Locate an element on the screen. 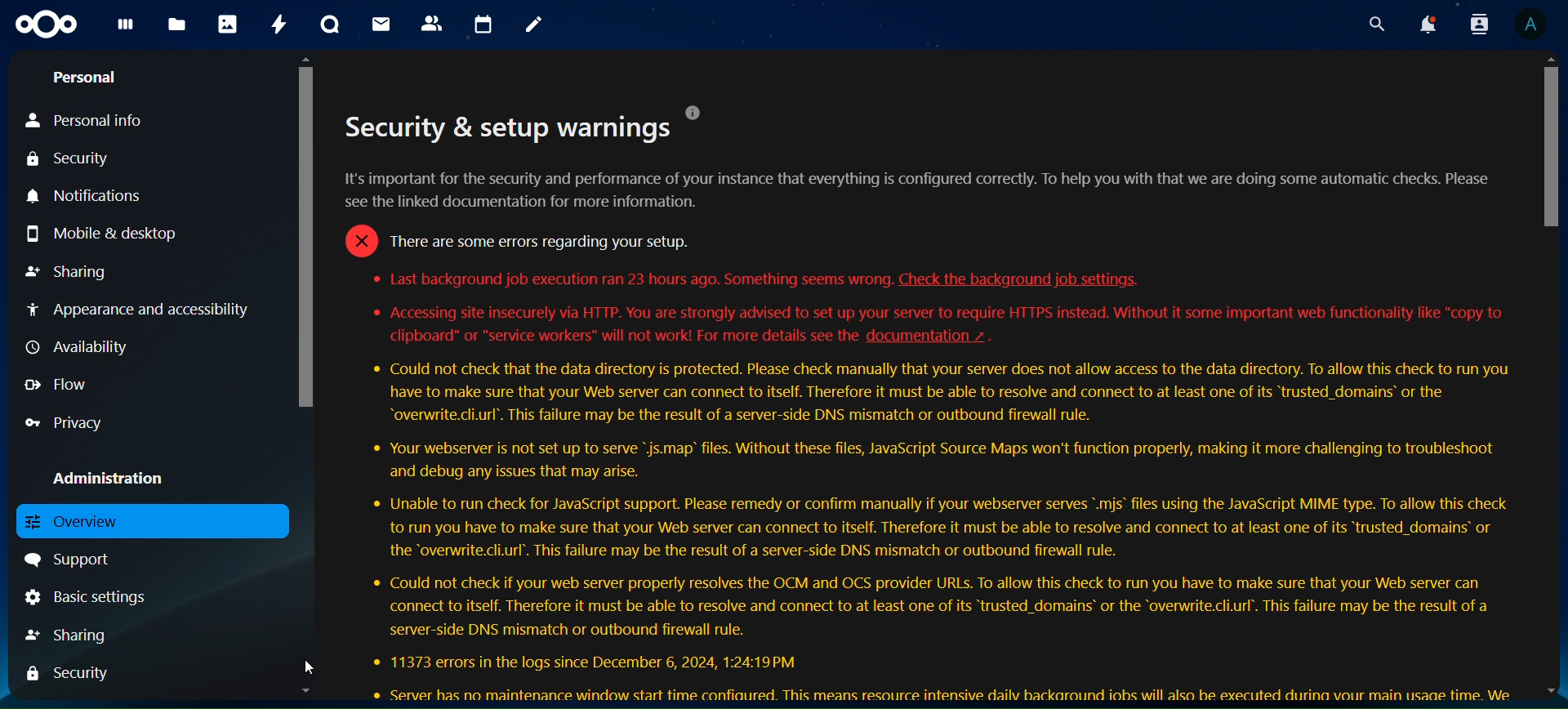 The width and height of the screenshot is (1568, 709). search is located at coordinates (1375, 25).